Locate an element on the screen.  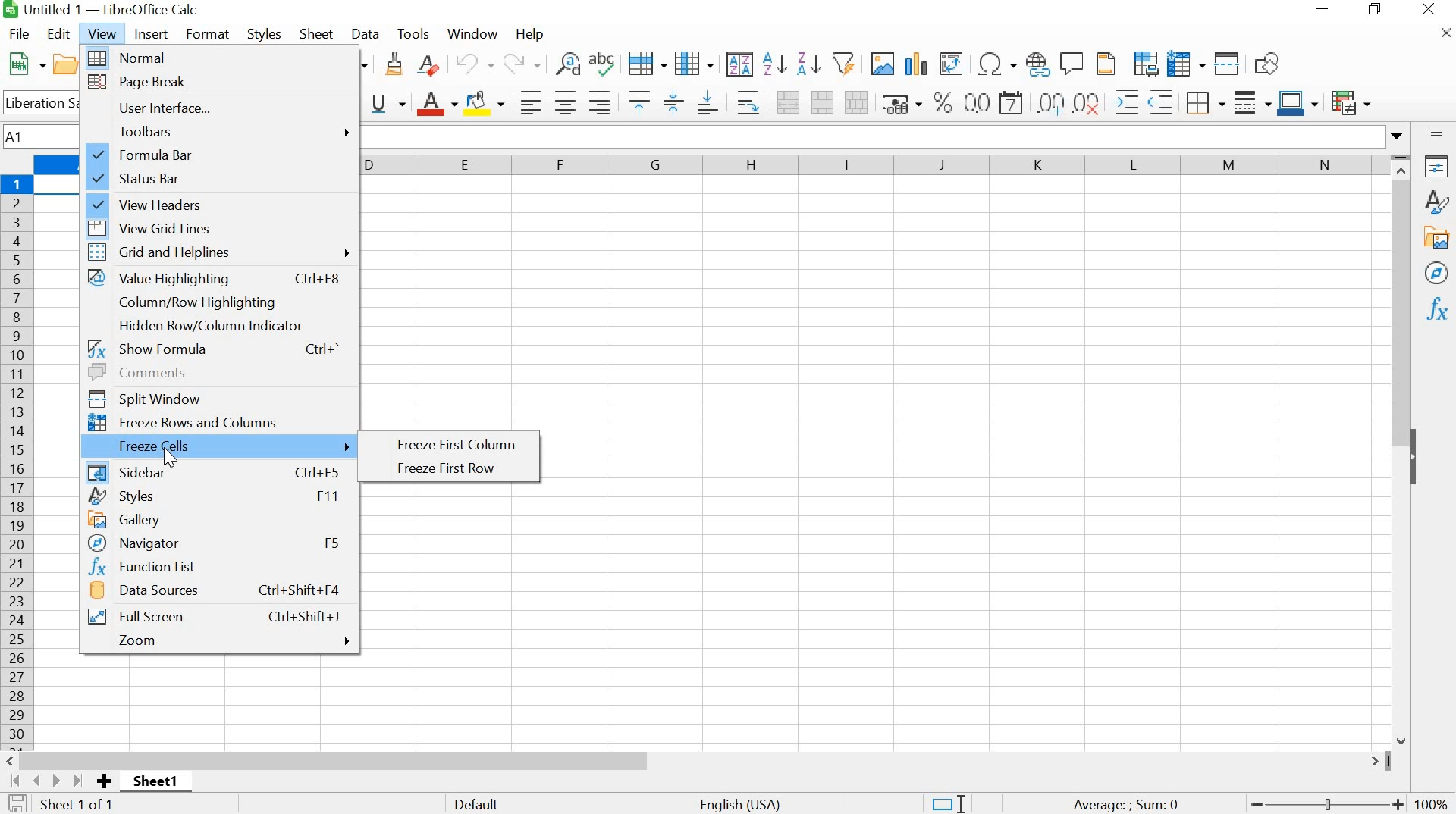
MERGE OR UNMERGE CELLS is located at coordinates (822, 102).